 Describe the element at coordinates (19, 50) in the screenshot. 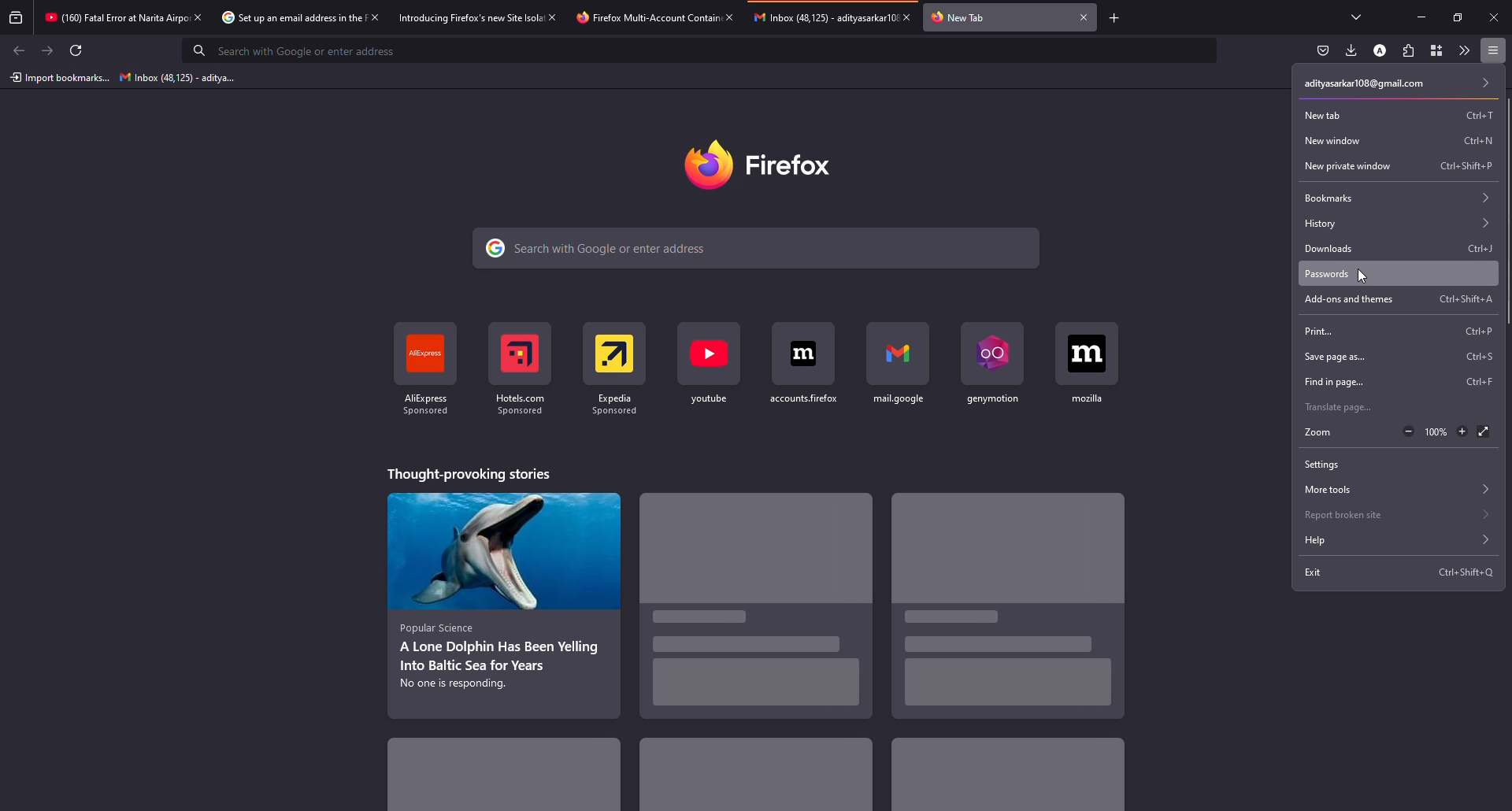

I see `back` at that location.